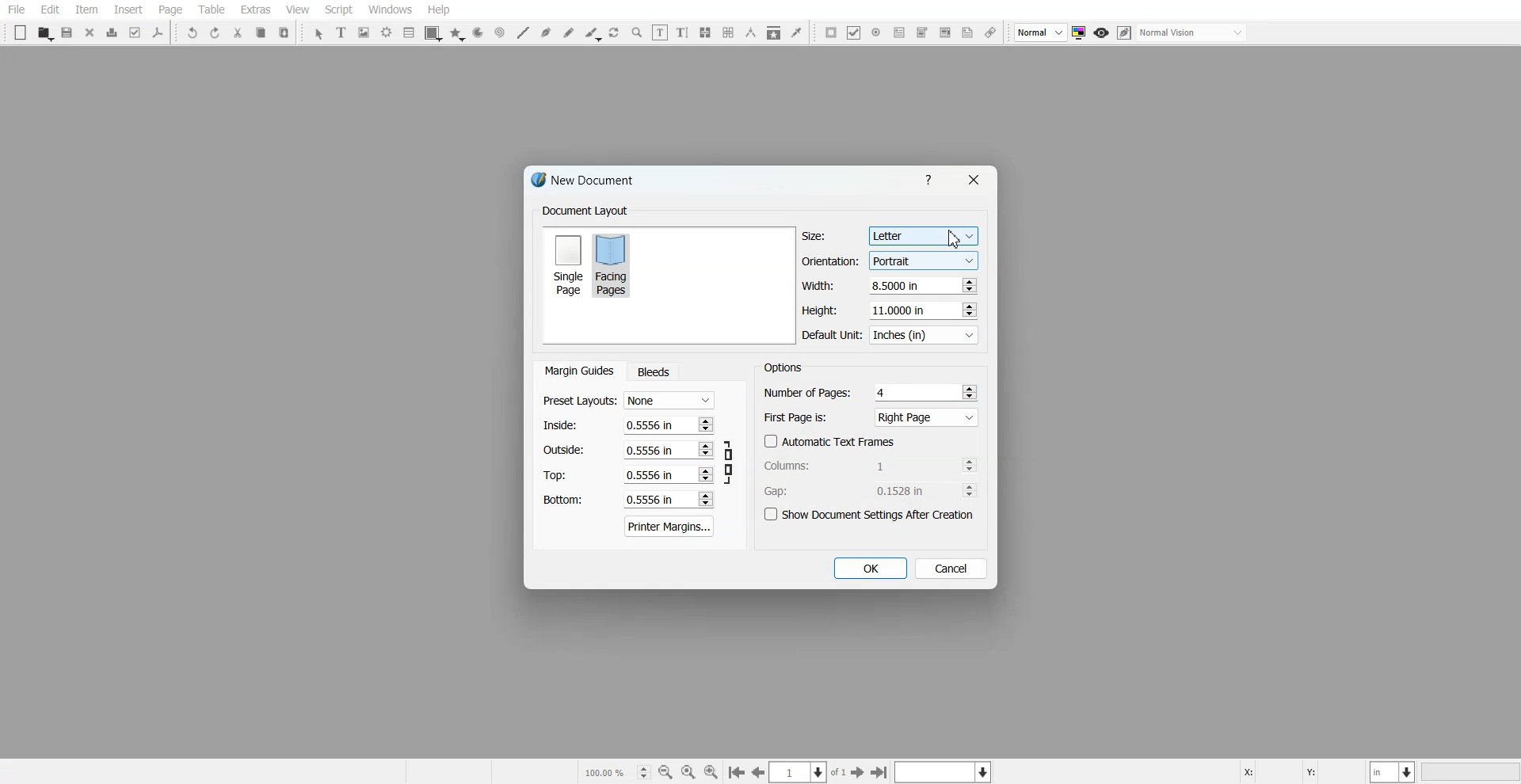 This screenshot has width=1521, height=784. Describe the element at coordinates (653, 371) in the screenshot. I see `Bleeds` at that location.